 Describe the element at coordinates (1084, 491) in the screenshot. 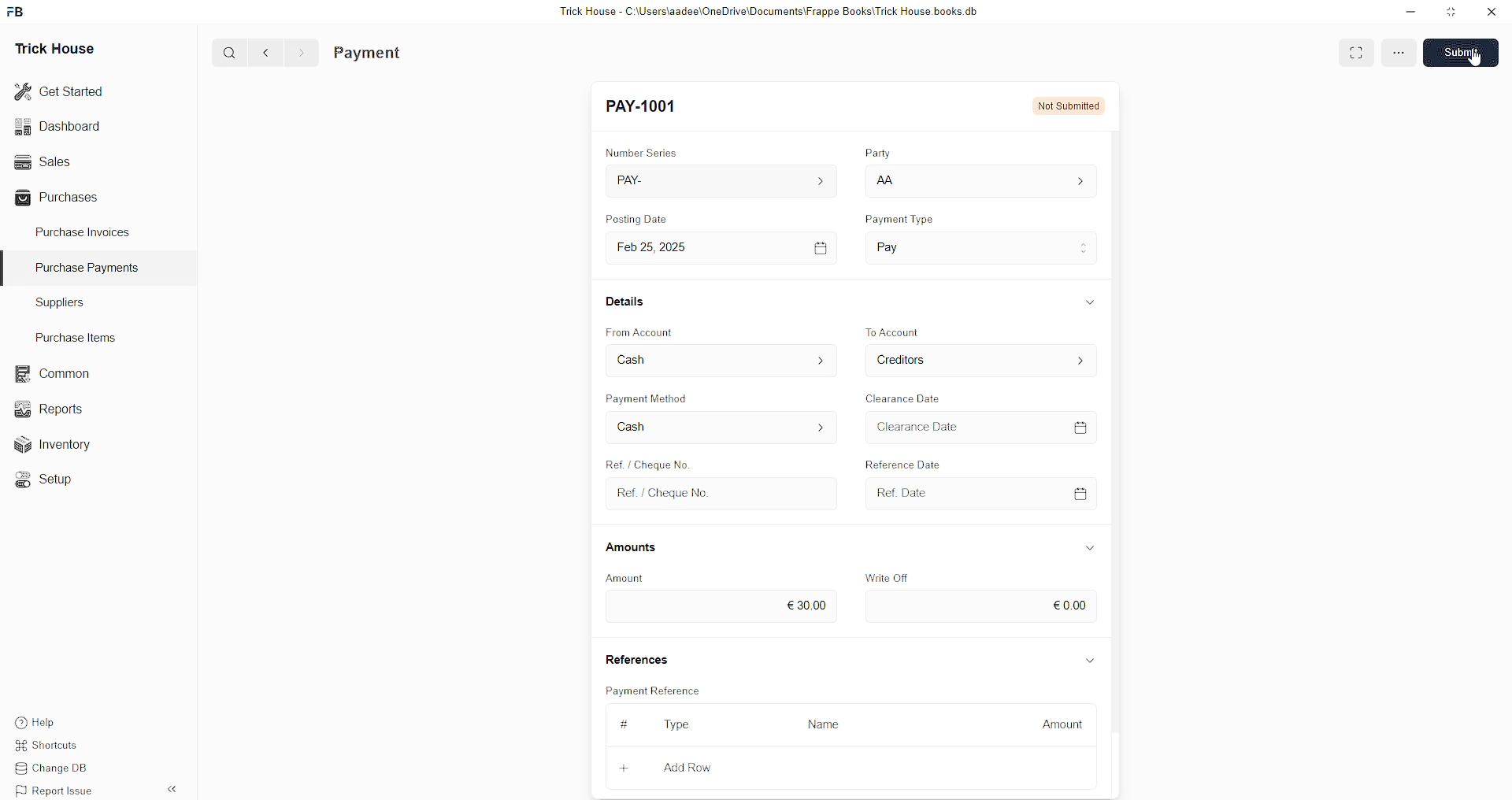

I see `calendar` at that location.